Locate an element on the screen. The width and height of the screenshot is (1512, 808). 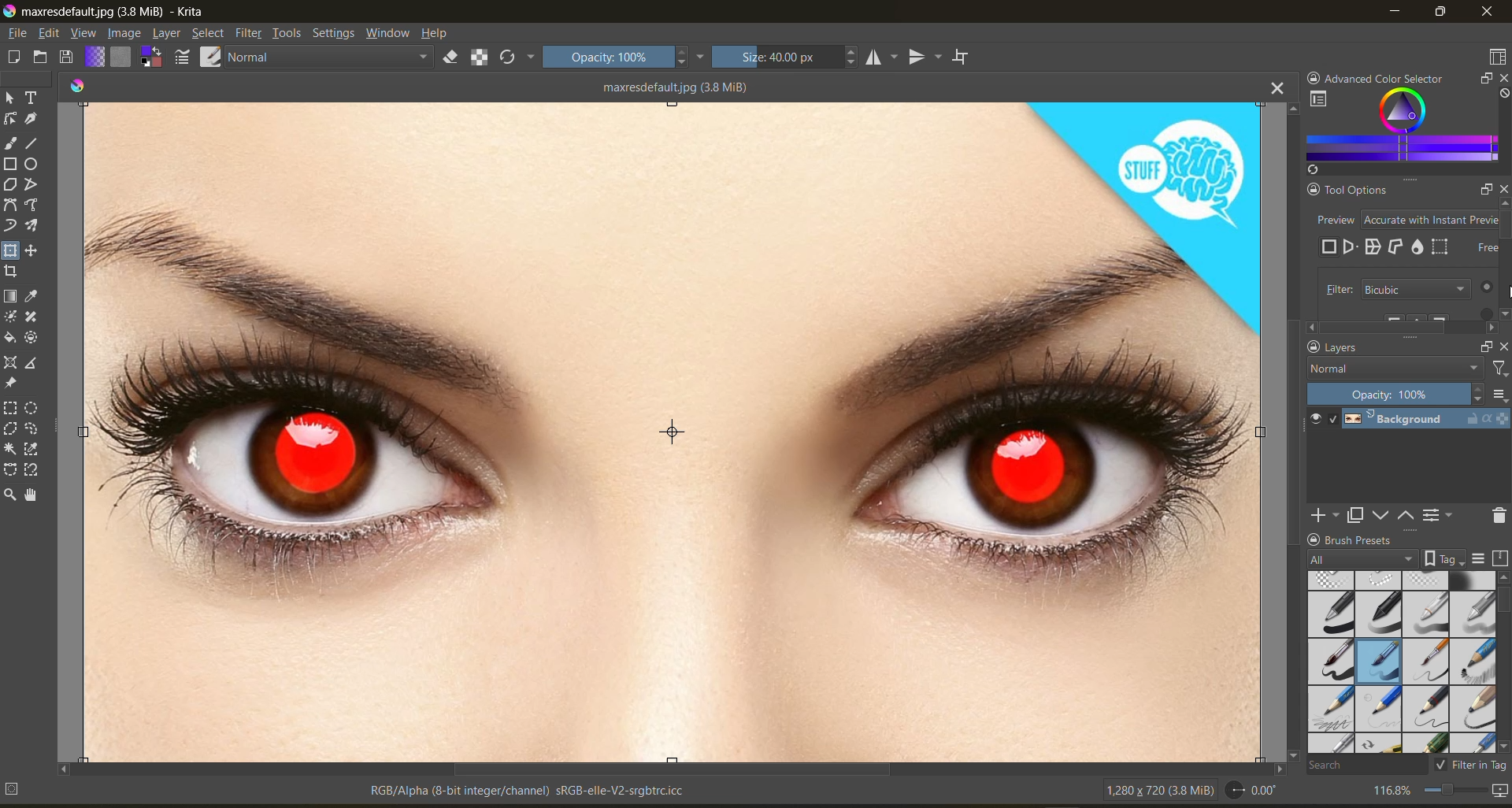
normal is located at coordinates (1395, 369).